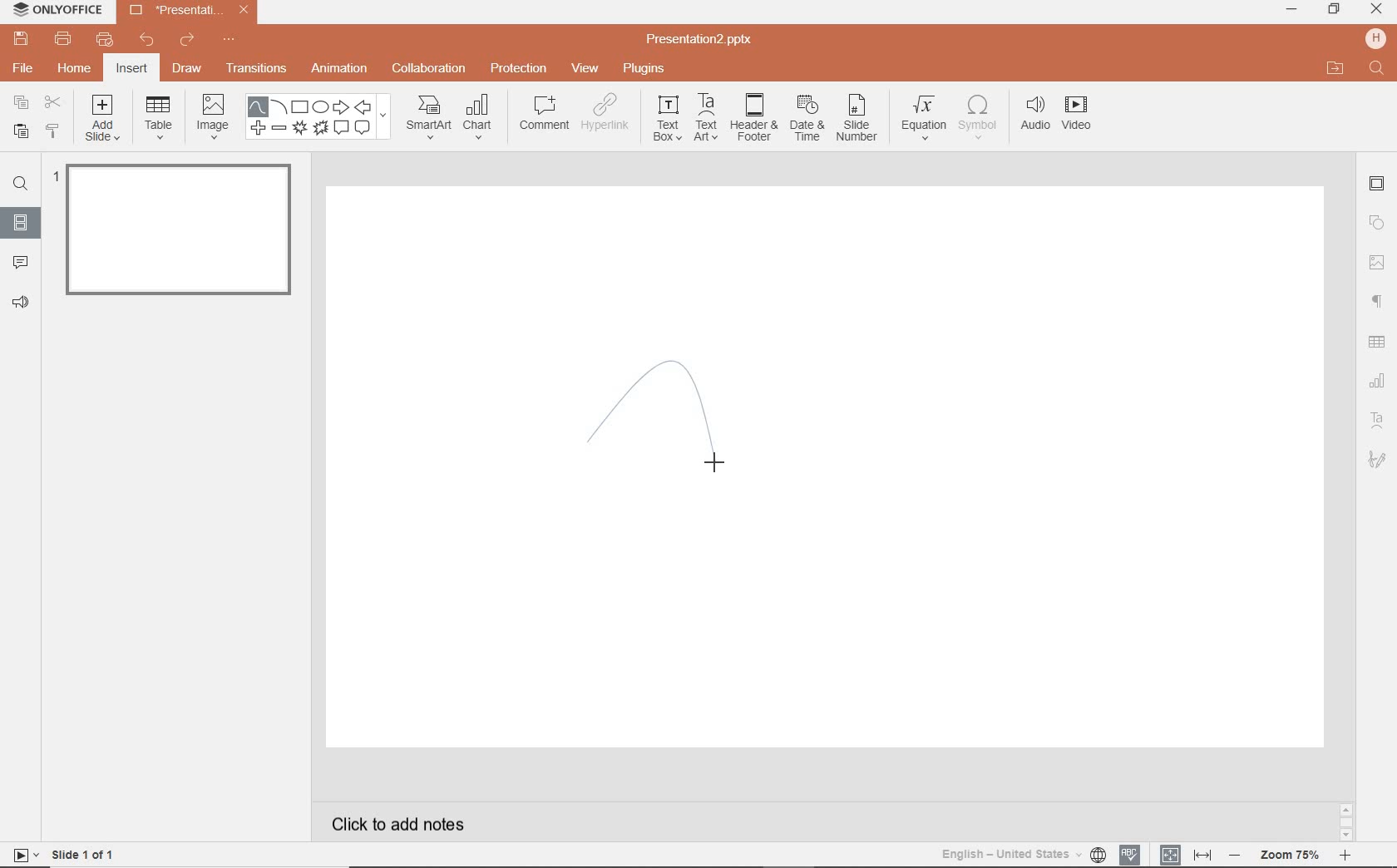  What do you see at coordinates (519, 68) in the screenshot?
I see `PROTECTION` at bounding box center [519, 68].